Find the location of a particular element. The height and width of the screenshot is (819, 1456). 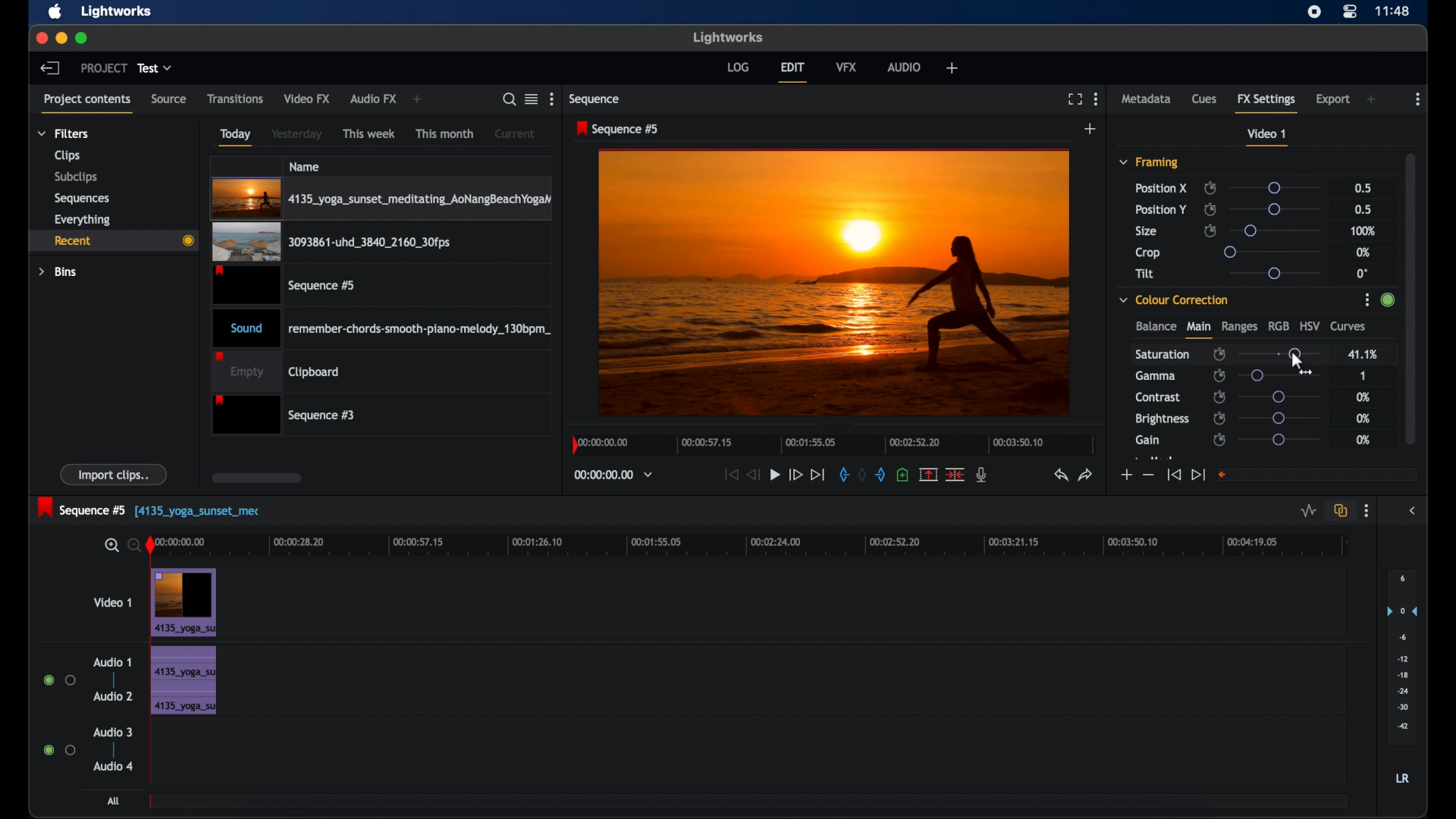

video preview is located at coordinates (834, 281).